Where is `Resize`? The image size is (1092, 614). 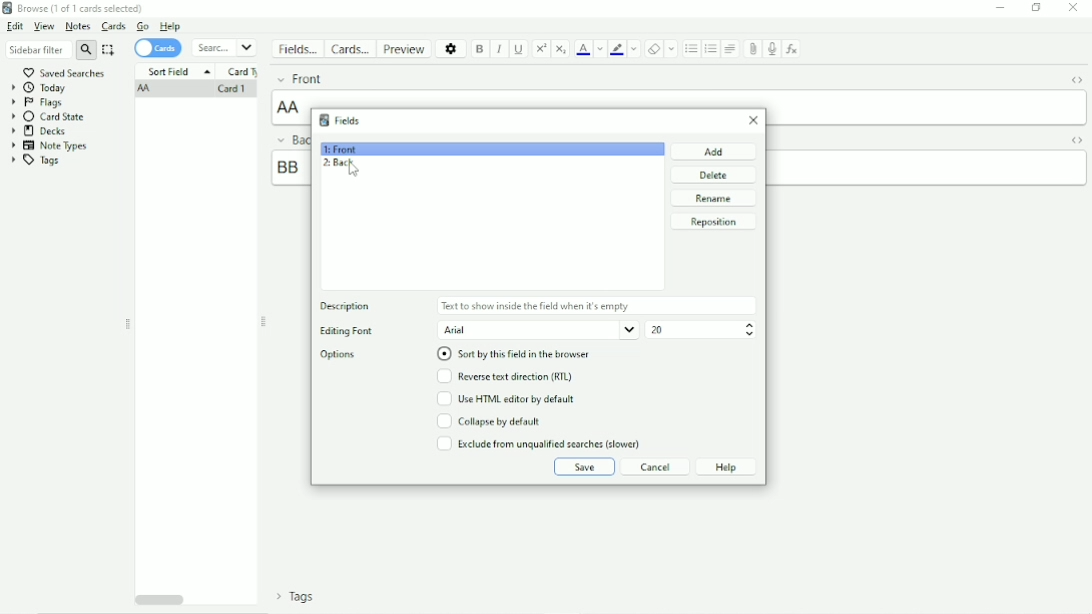
Resize is located at coordinates (264, 322).